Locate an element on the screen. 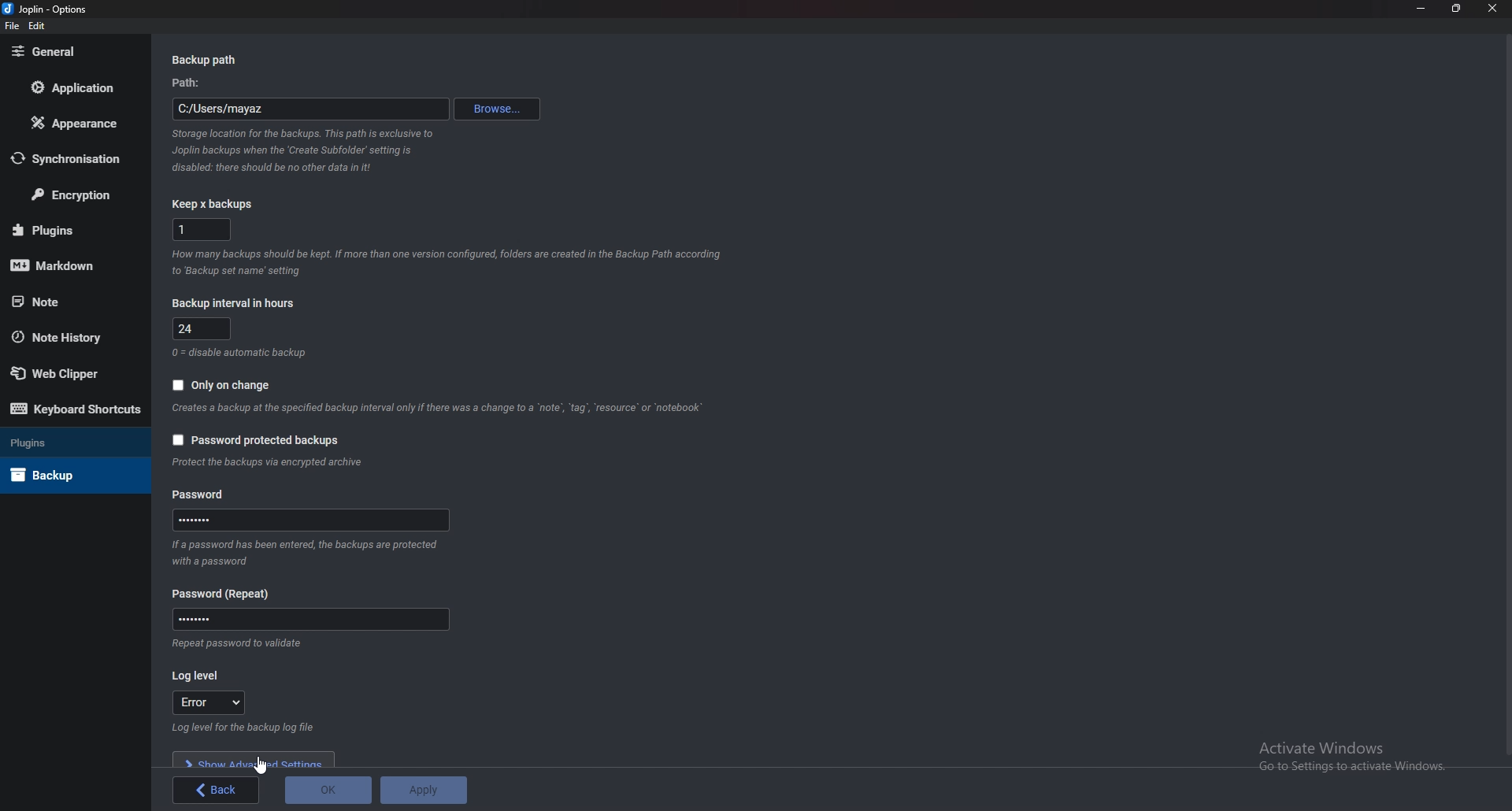 The image size is (1512, 811). Password is located at coordinates (312, 520).